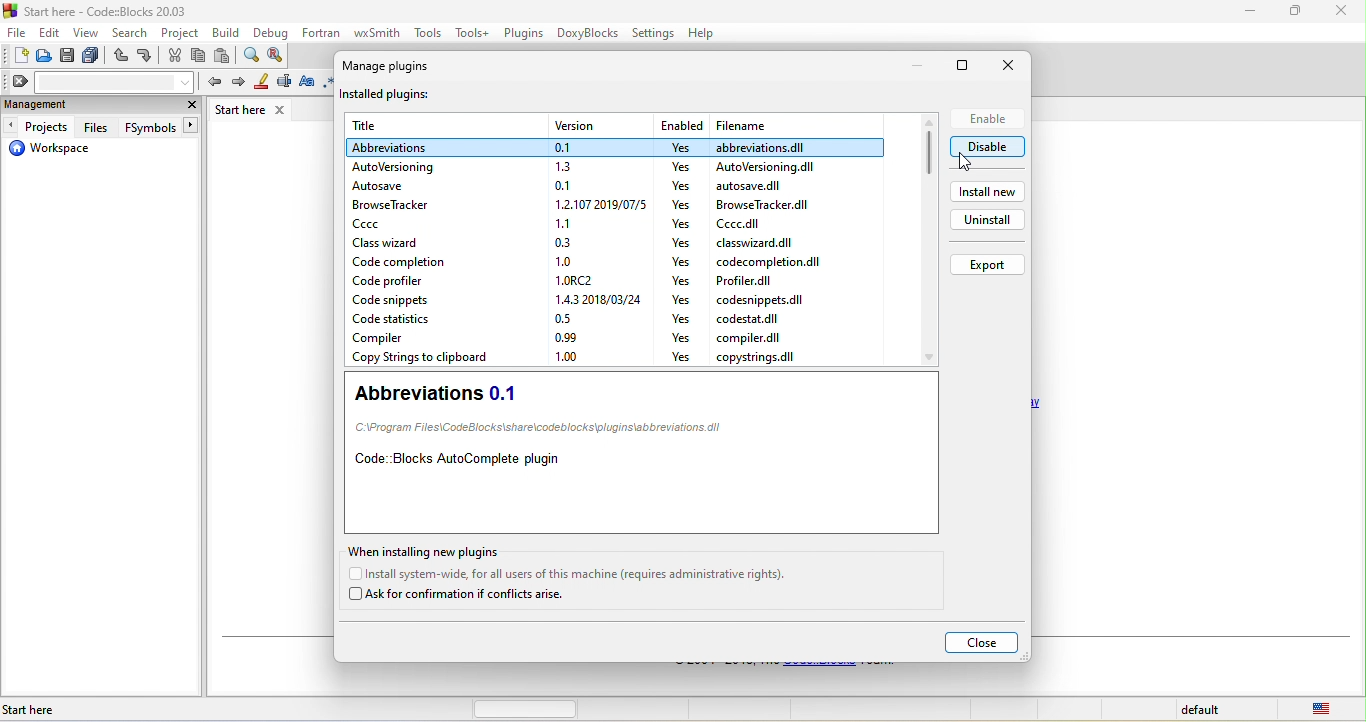 The image size is (1366, 722). Describe the element at coordinates (395, 244) in the screenshot. I see `class wizard` at that location.